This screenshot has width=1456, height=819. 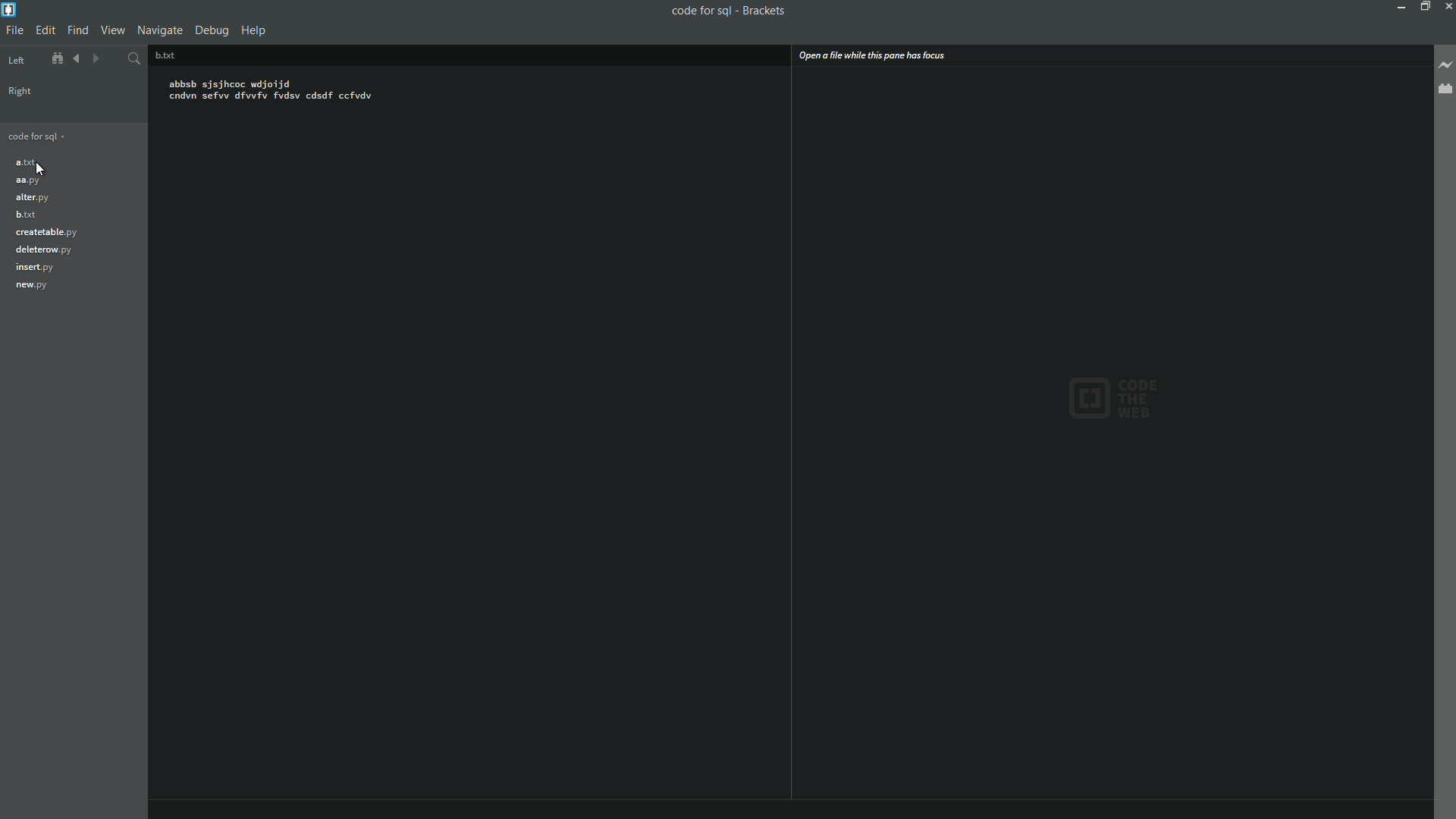 I want to click on Live preview, so click(x=1445, y=67).